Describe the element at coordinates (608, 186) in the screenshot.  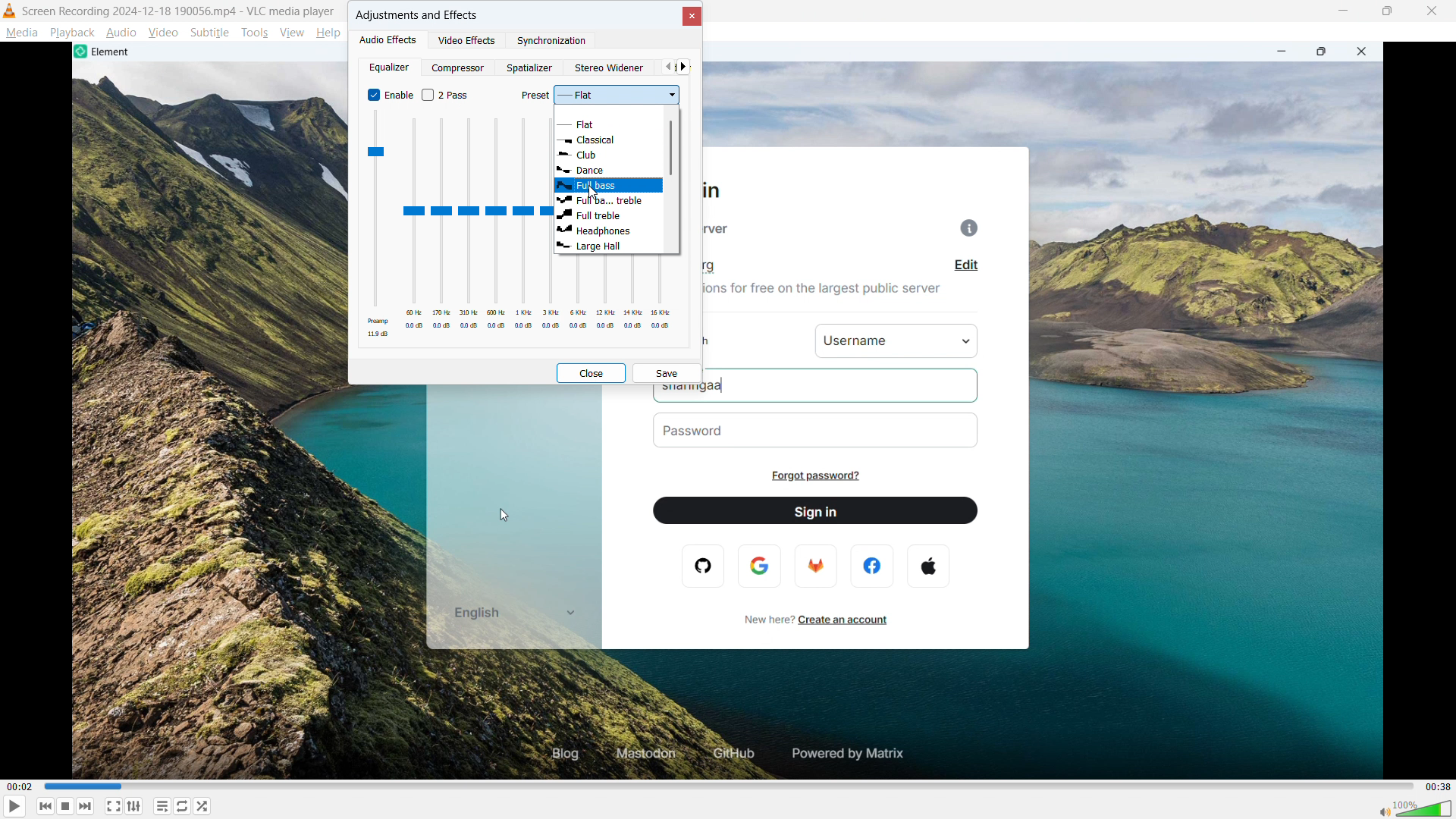
I see `Full bass ` at that location.